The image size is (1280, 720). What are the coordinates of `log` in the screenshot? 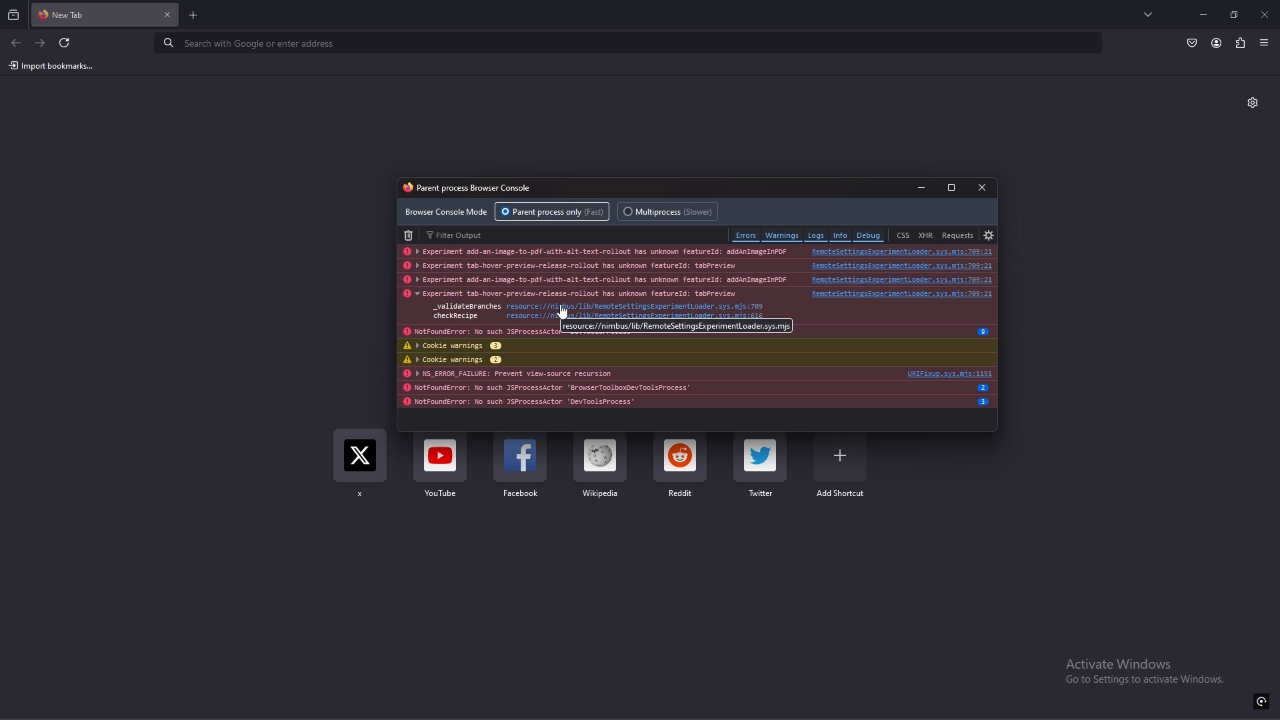 It's located at (595, 402).